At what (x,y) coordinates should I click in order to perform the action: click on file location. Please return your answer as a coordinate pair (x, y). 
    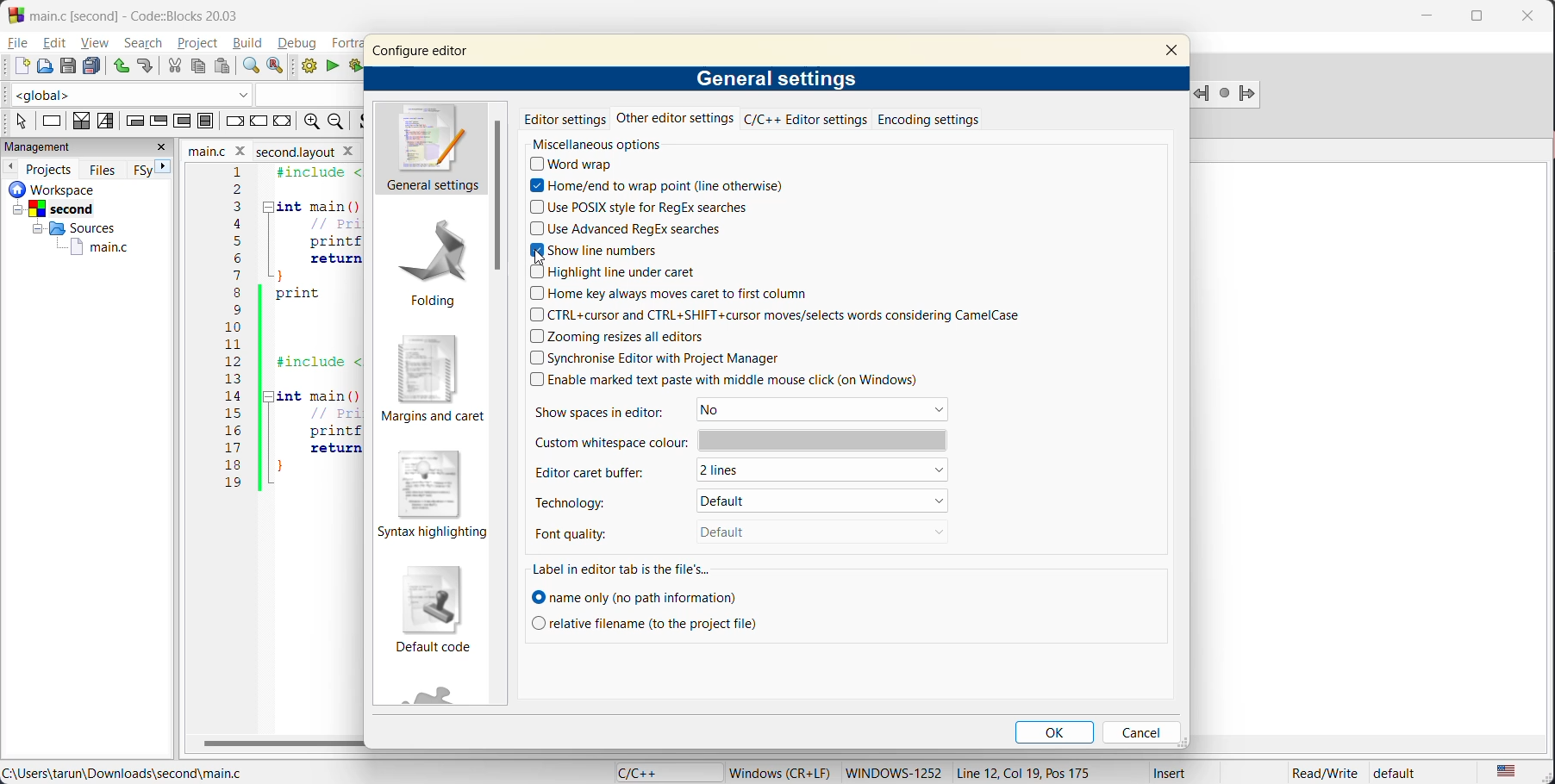
    Looking at the image, I should click on (127, 774).